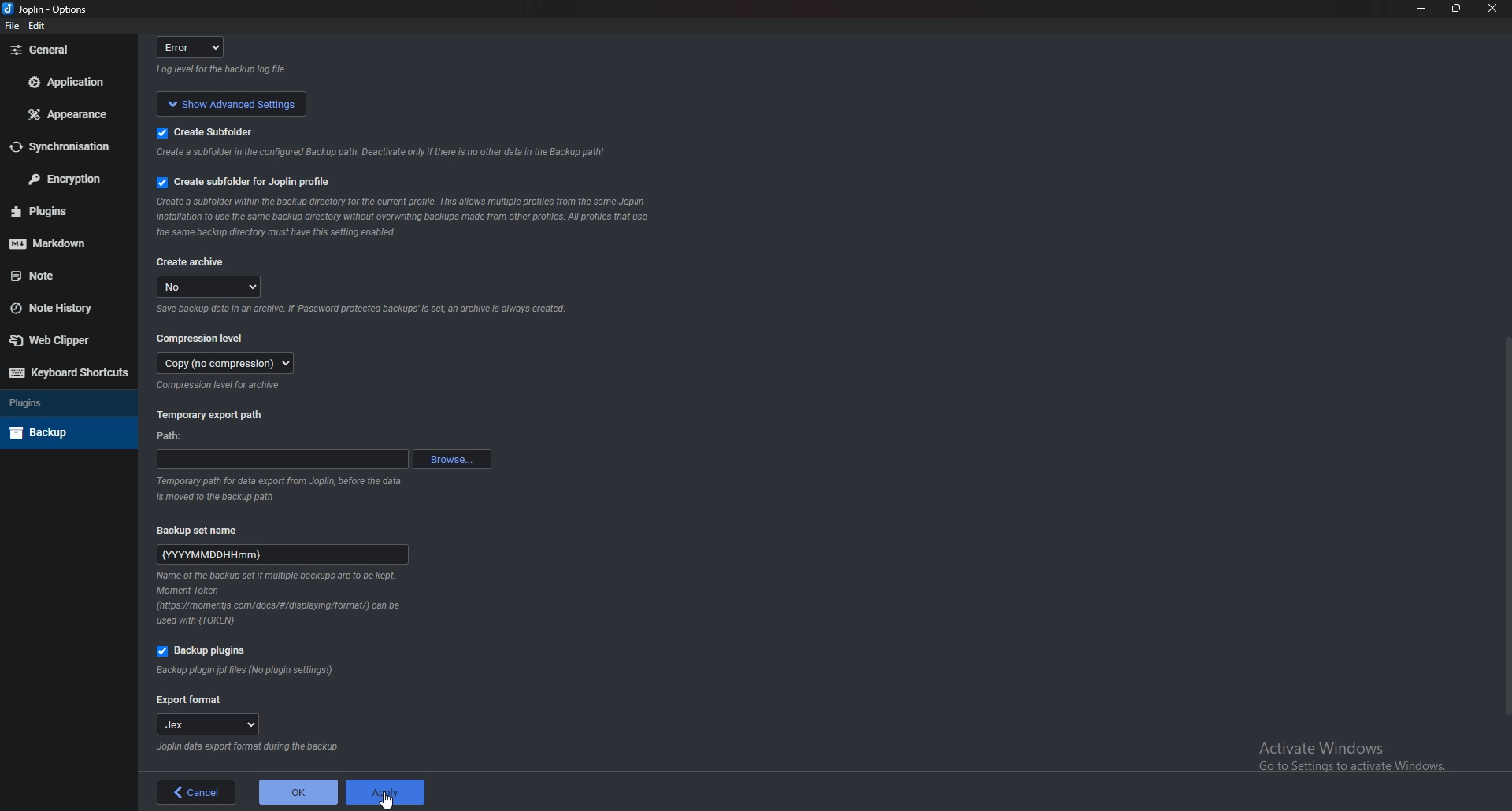 This screenshot has height=811, width=1512. What do you see at coordinates (203, 337) in the screenshot?
I see `Compression level` at bounding box center [203, 337].